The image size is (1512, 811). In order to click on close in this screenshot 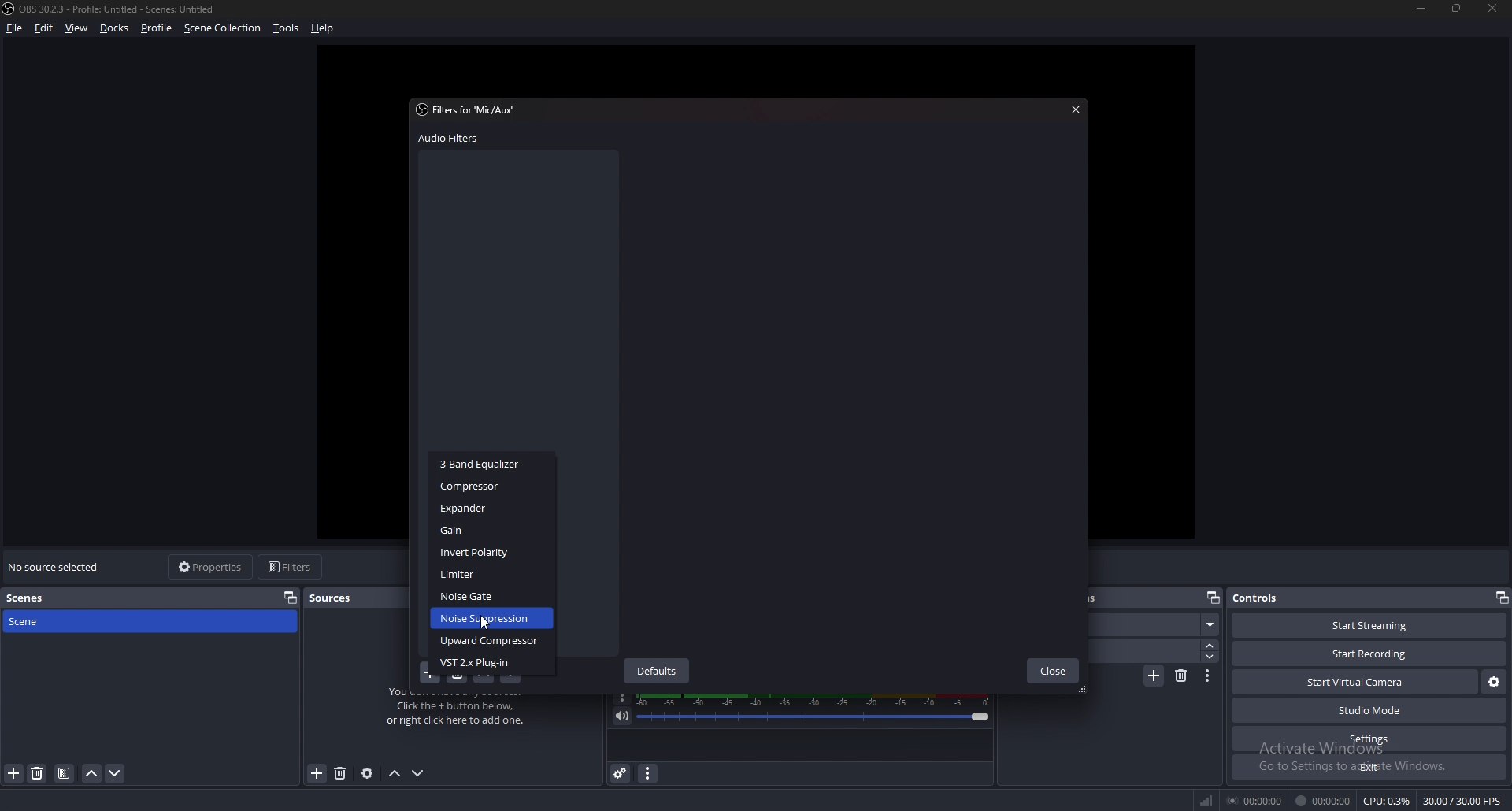, I will do `click(1495, 9)`.